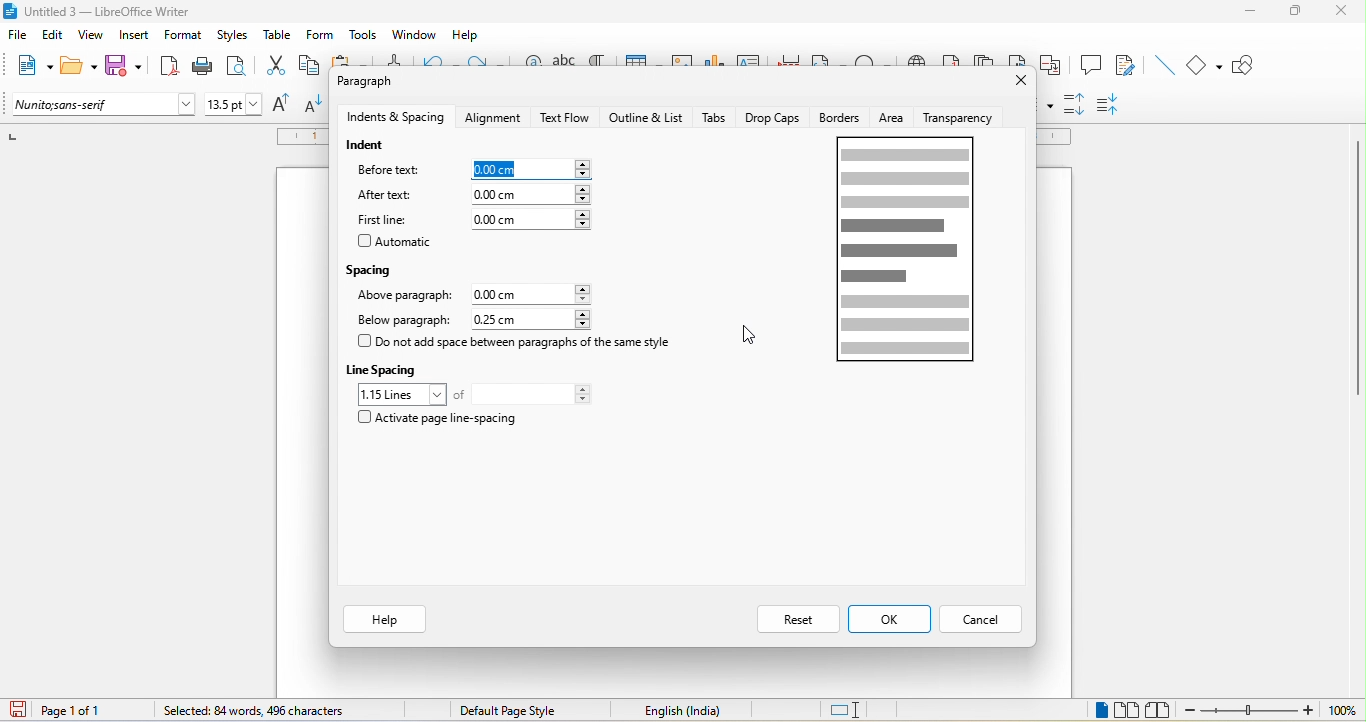 Image resolution: width=1366 pixels, height=722 pixels. I want to click on increase size, so click(278, 103).